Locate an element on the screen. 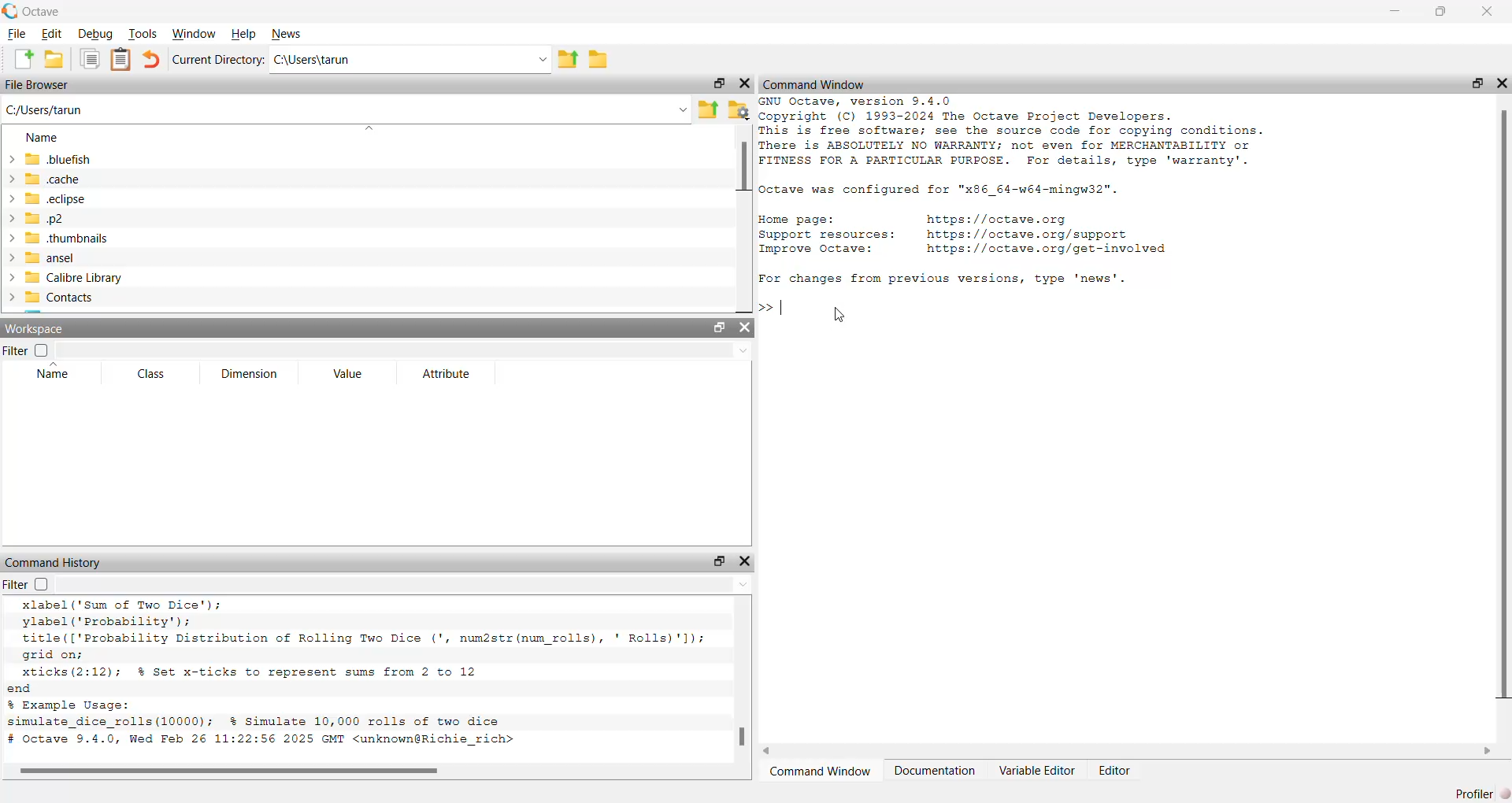 The width and height of the screenshot is (1512, 803). Variable Editor is located at coordinates (1038, 771).